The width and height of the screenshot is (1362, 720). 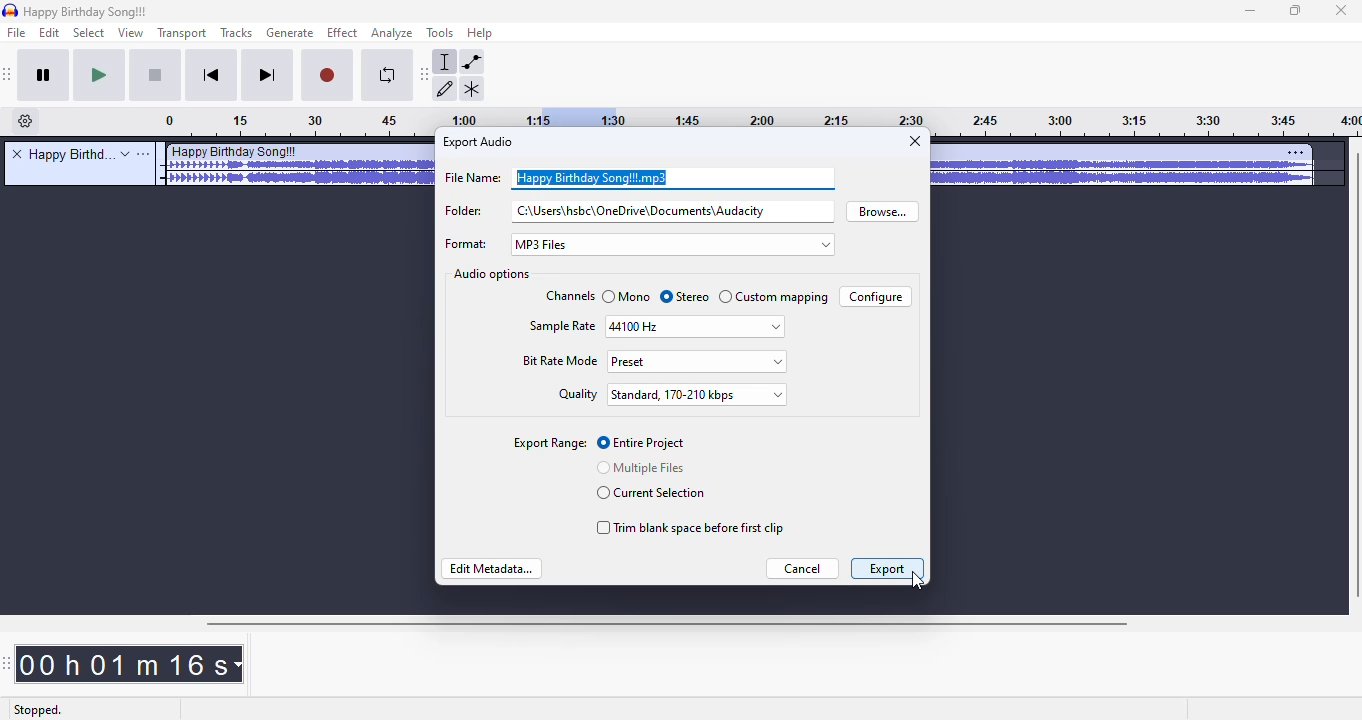 What do you see at coordinates (146, 156) in the screenshot?
I see `open menu` at bounding box center [146, 156].